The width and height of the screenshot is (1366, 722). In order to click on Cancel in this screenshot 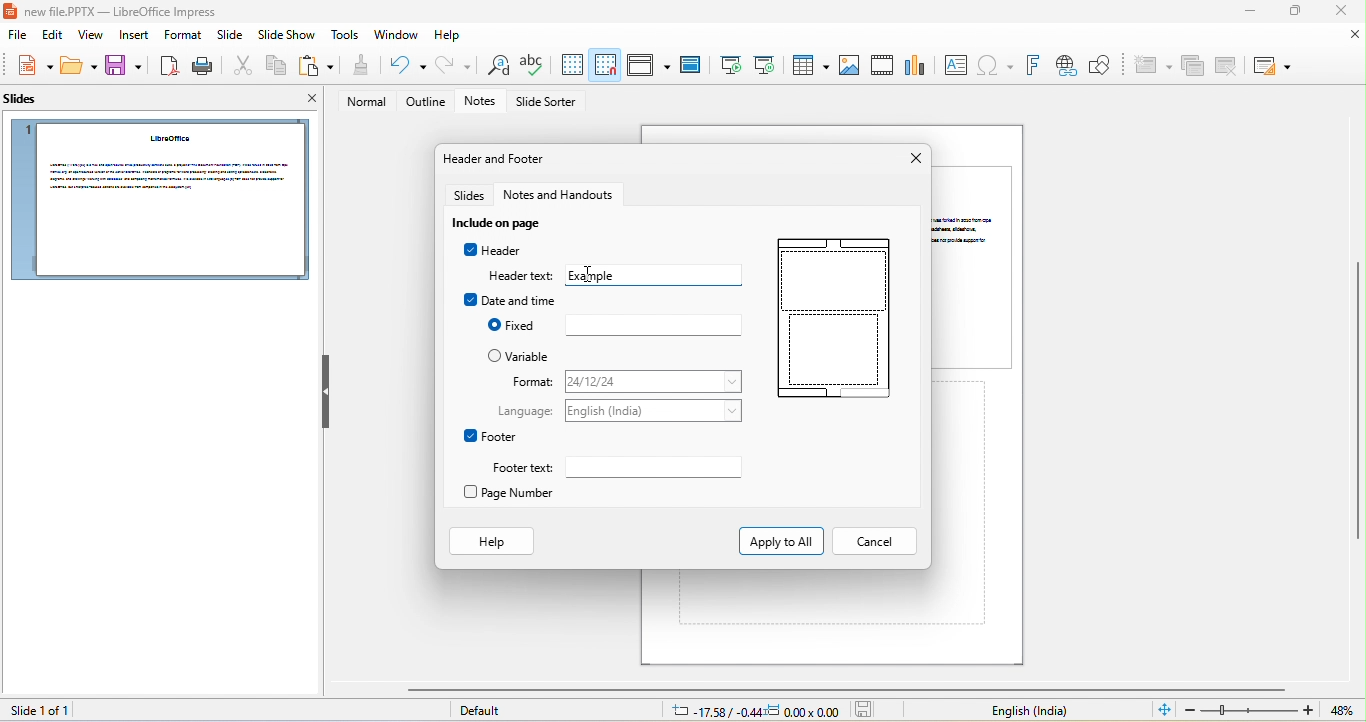, I will do `click(873, 542)`.